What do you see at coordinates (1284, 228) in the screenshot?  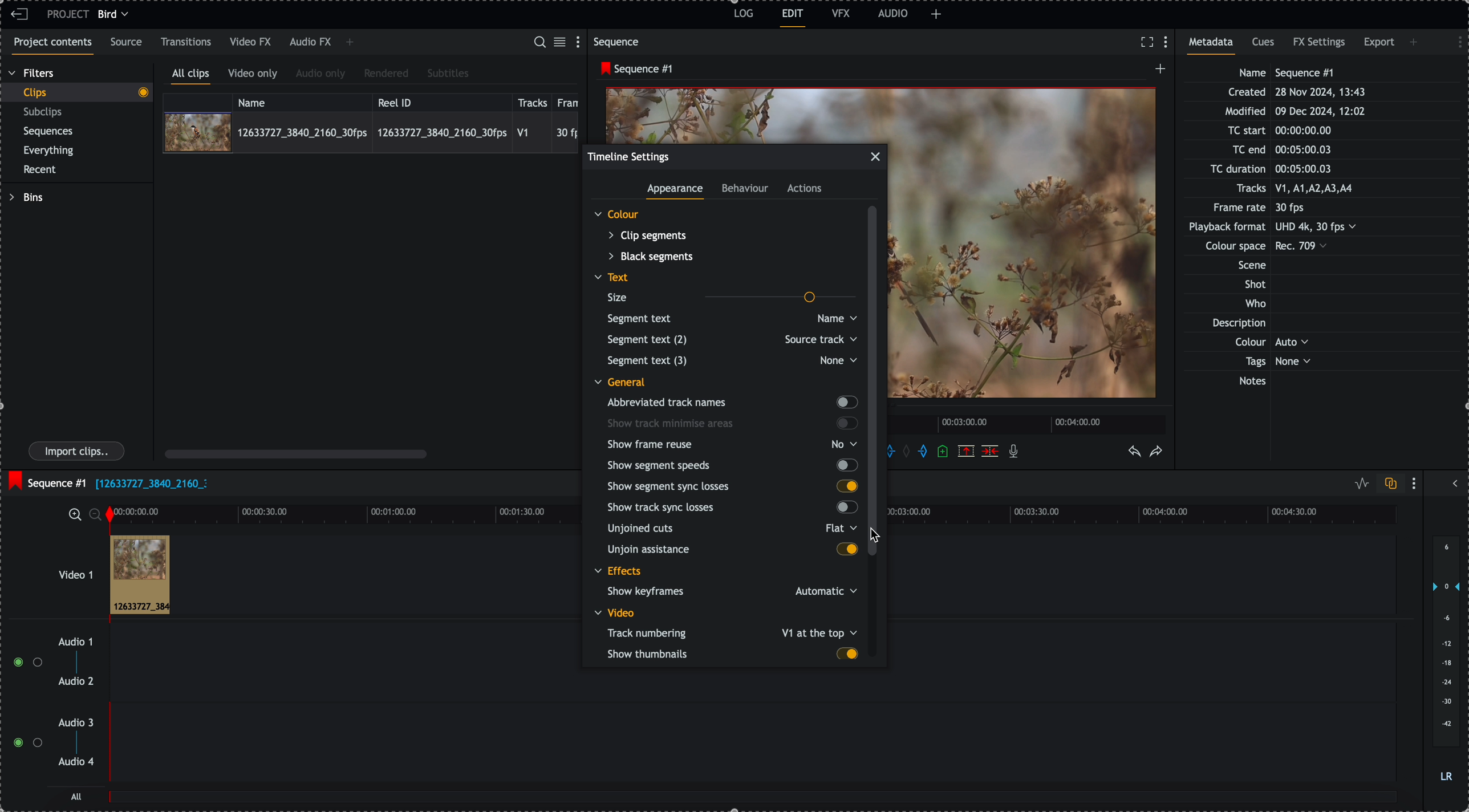 I see `metadata` at bounding box center [1284, 228].